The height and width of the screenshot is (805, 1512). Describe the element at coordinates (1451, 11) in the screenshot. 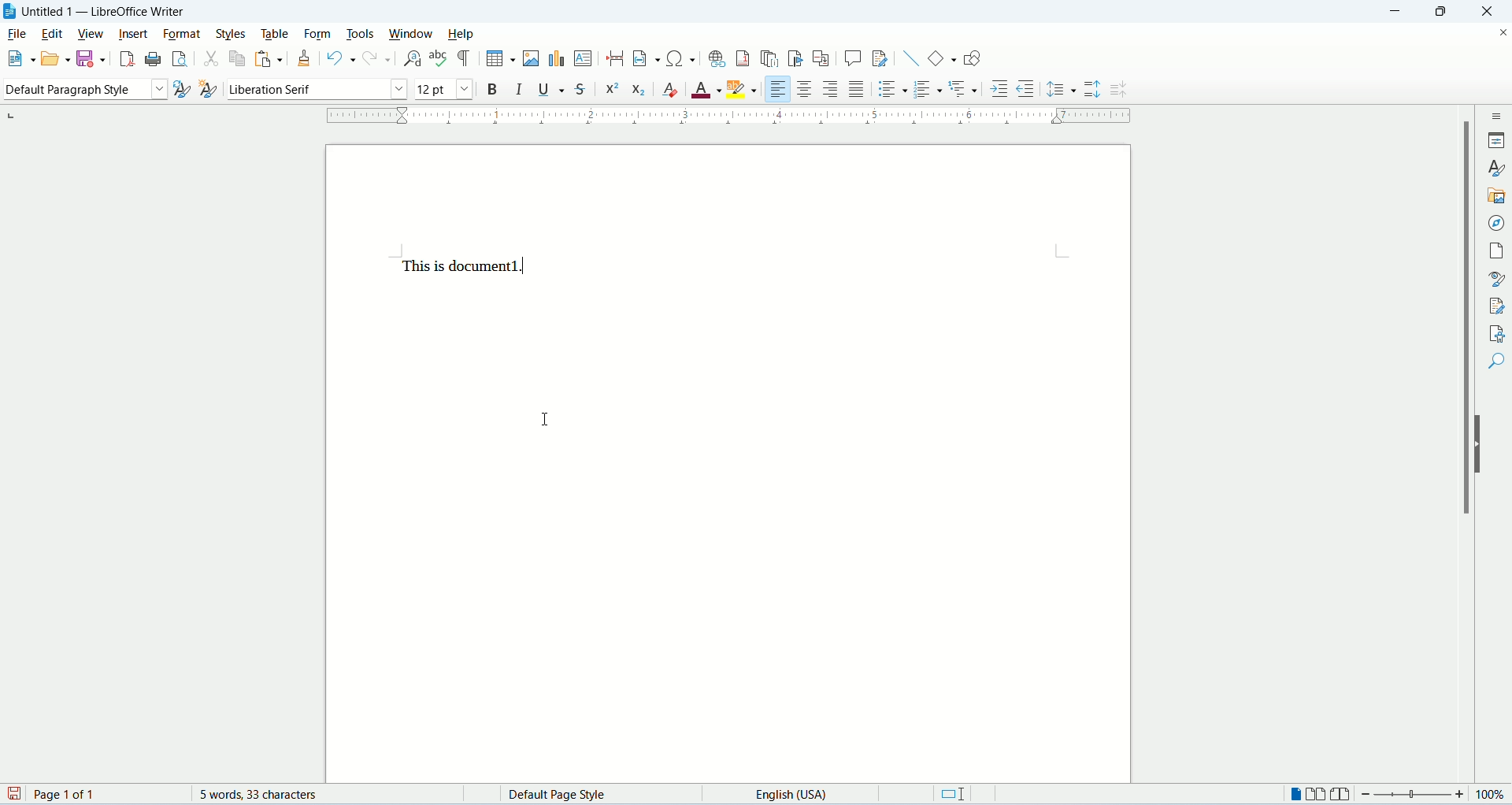

I see `maximize` at that location.